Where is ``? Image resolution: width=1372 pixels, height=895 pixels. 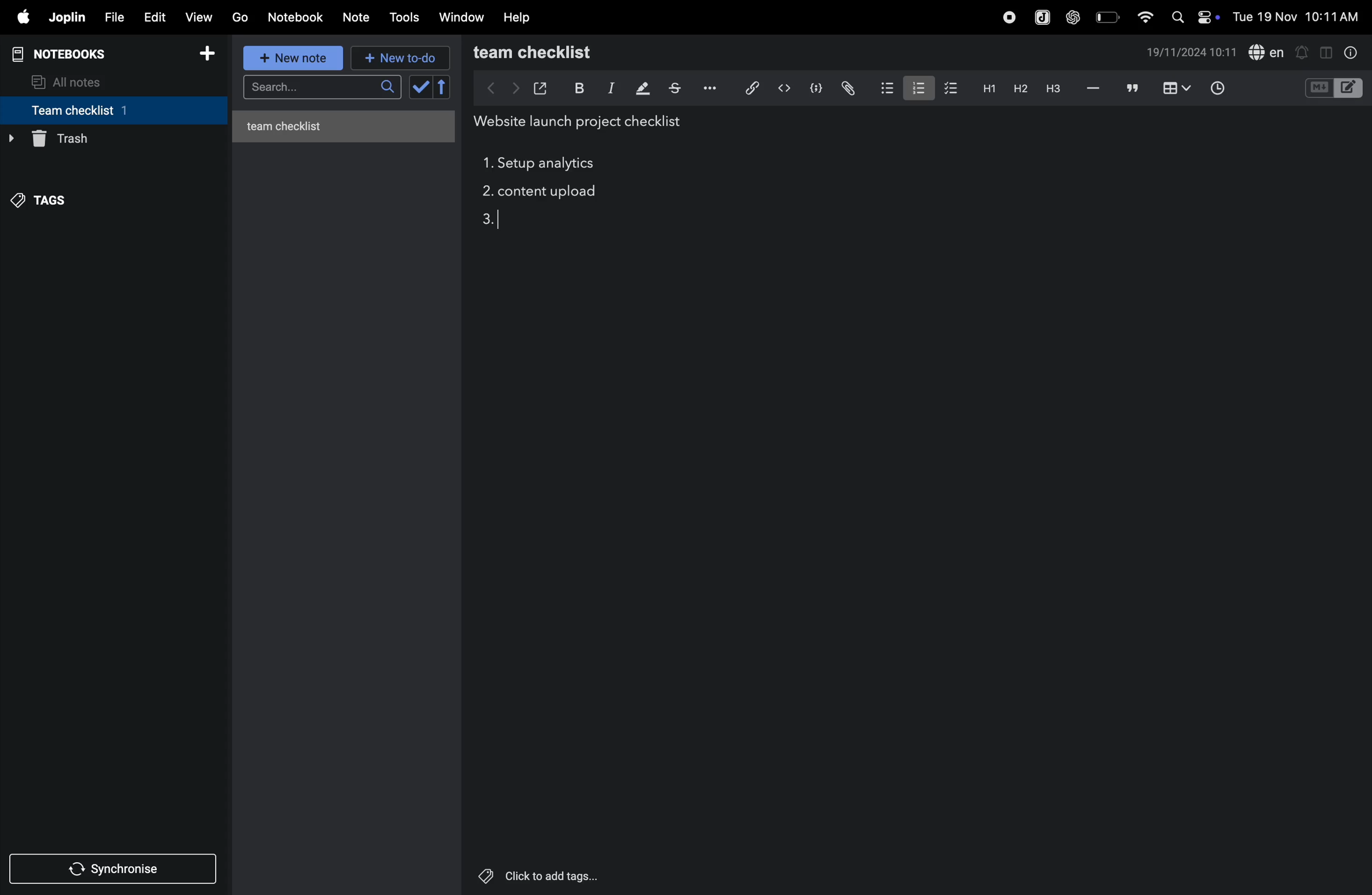  is located at coordinates (1301, 51).